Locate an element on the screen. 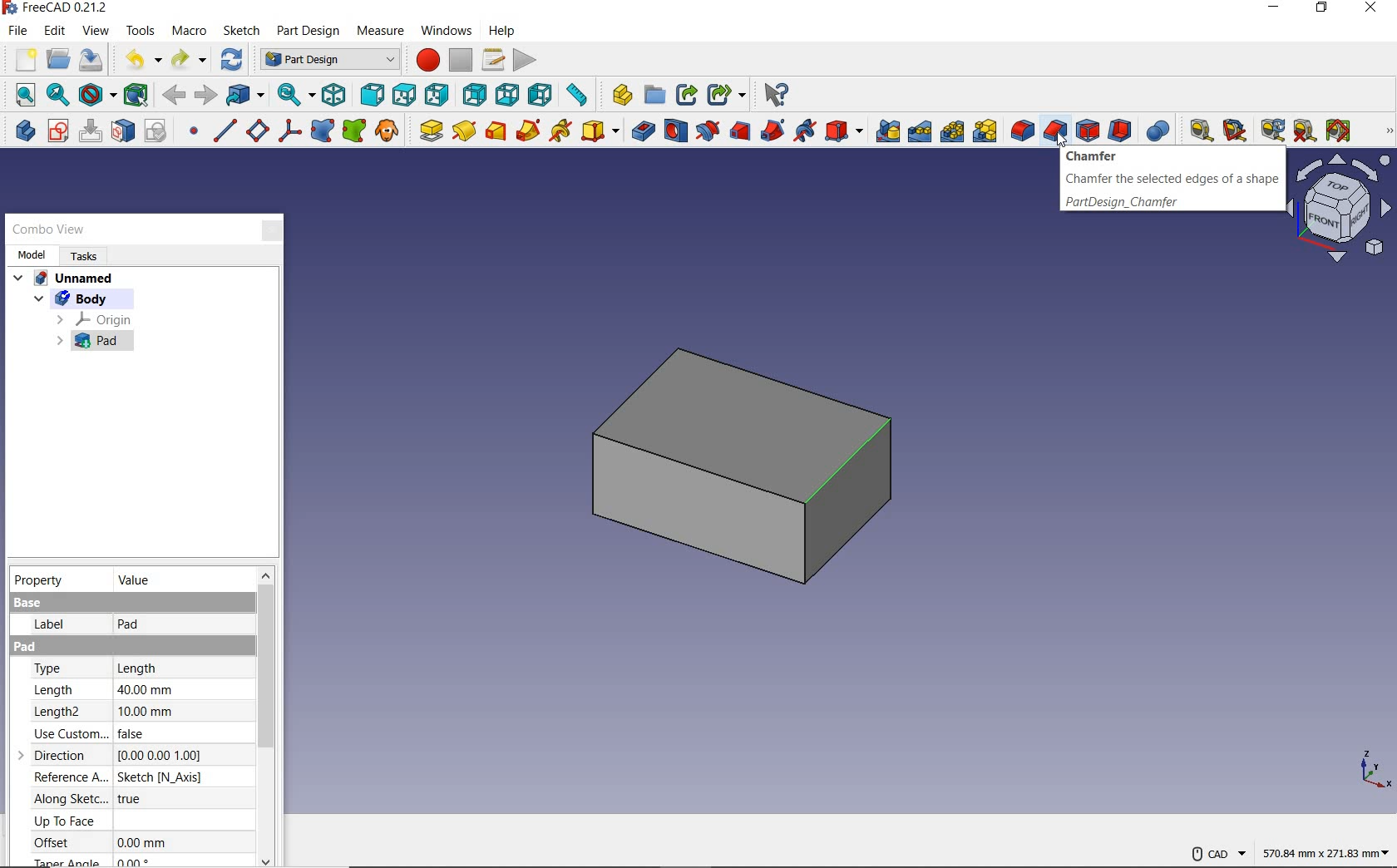 This screenshot has height=868, width=1397. ceate body is located at coordinates (22, 131).